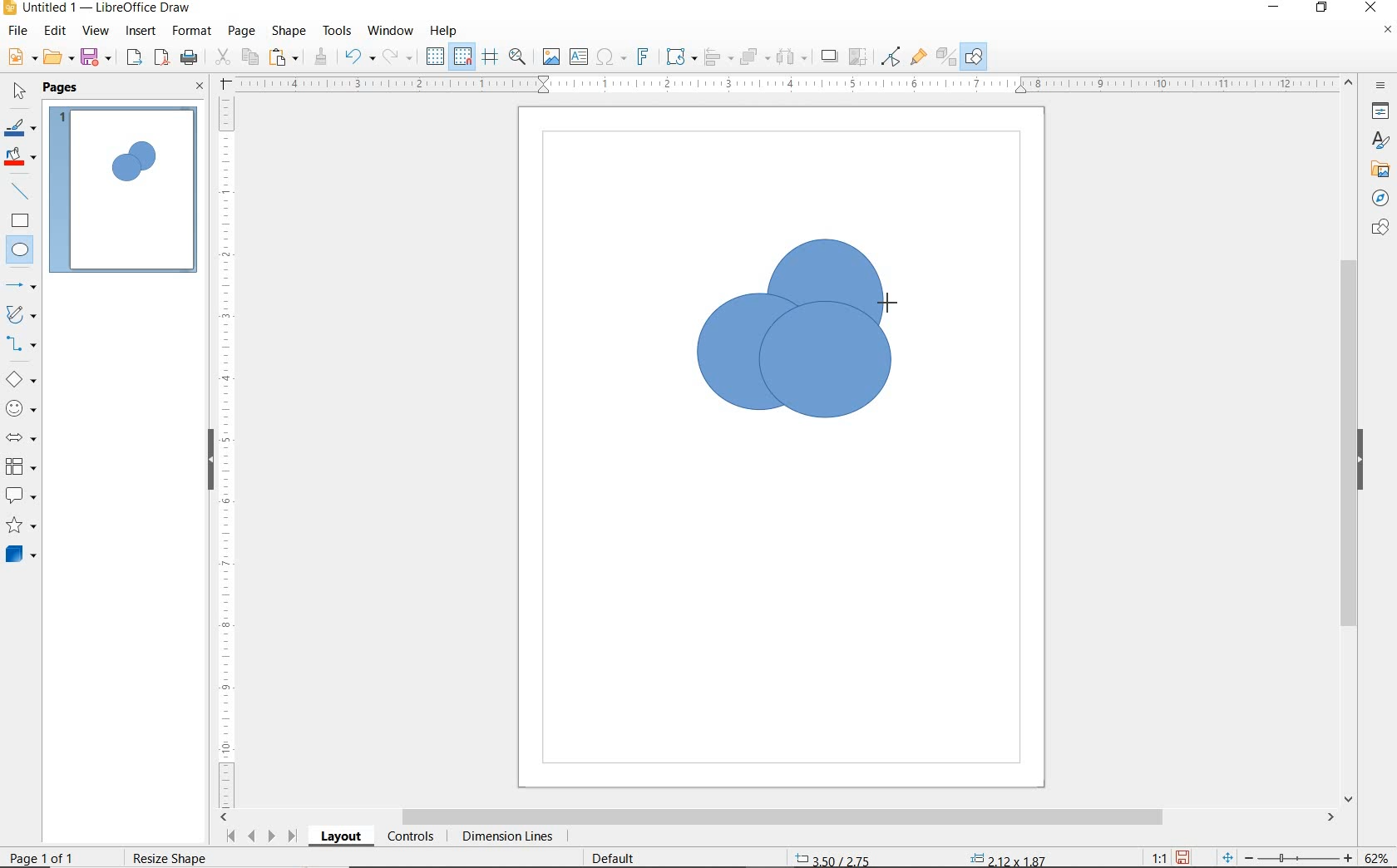 The height and width of the screenshot is (868, 1397). I want to click on INSERT TEXT BOX, so click(580, 57).